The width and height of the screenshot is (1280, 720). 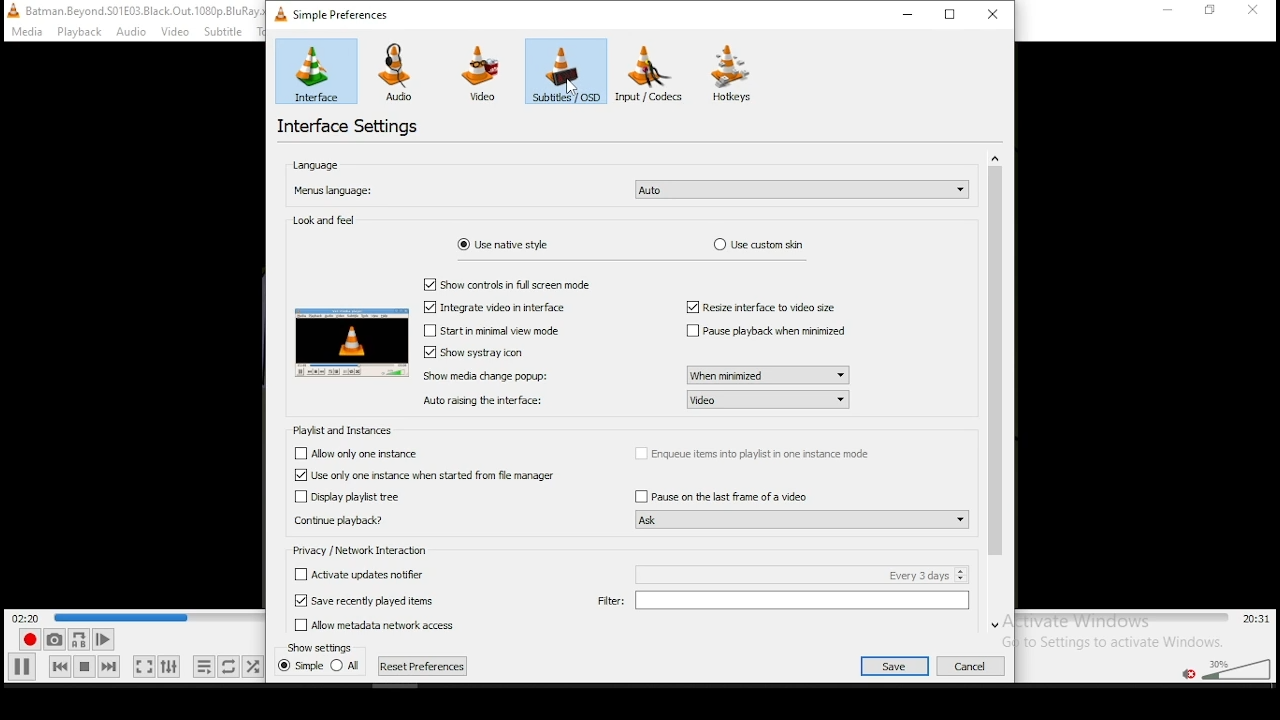 I want to click on checkbox: pause on the last frame of the video, so click(x=743, y=497).